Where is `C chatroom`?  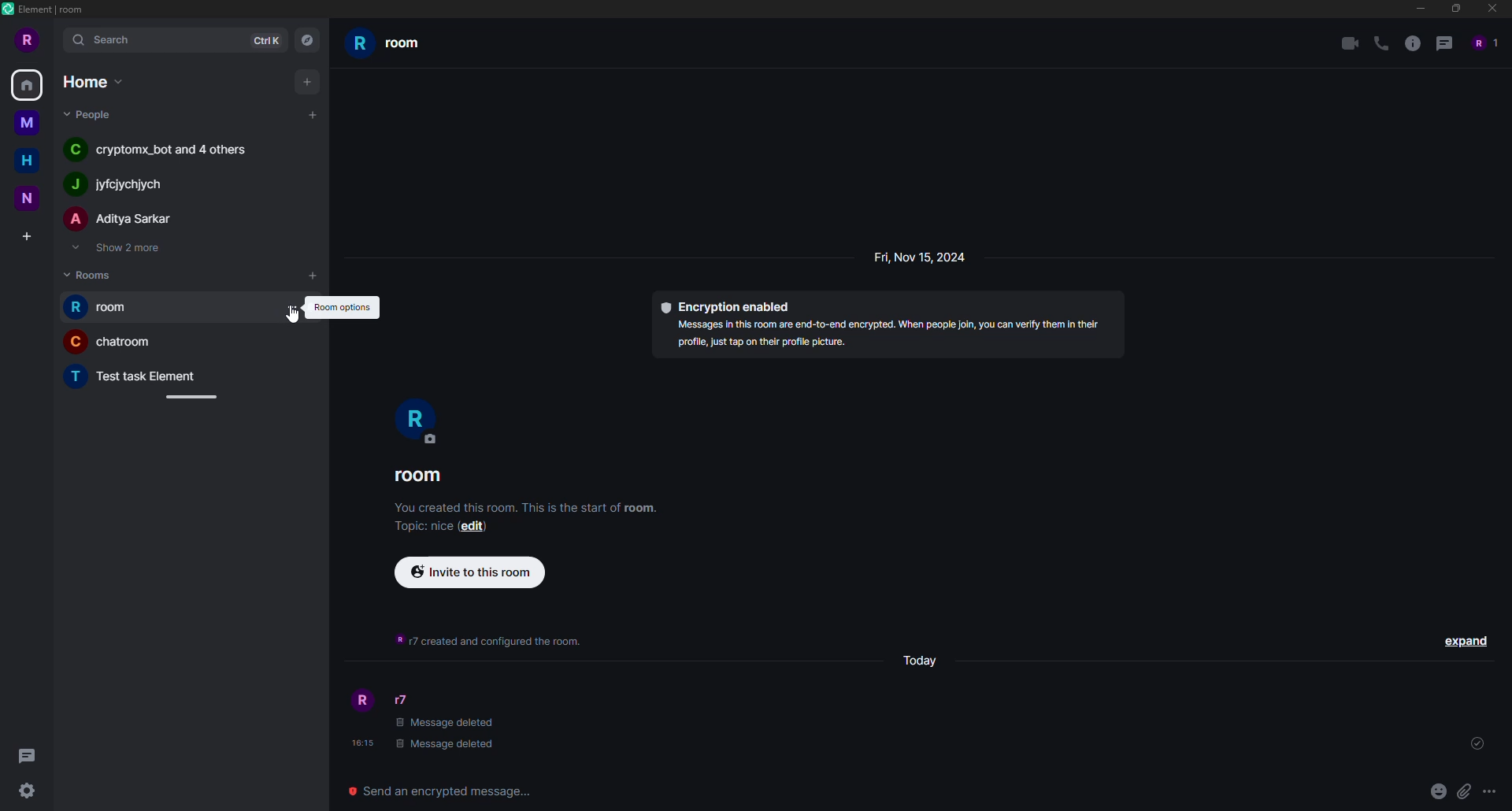
C chatroom is located at coordinates (106, 343).